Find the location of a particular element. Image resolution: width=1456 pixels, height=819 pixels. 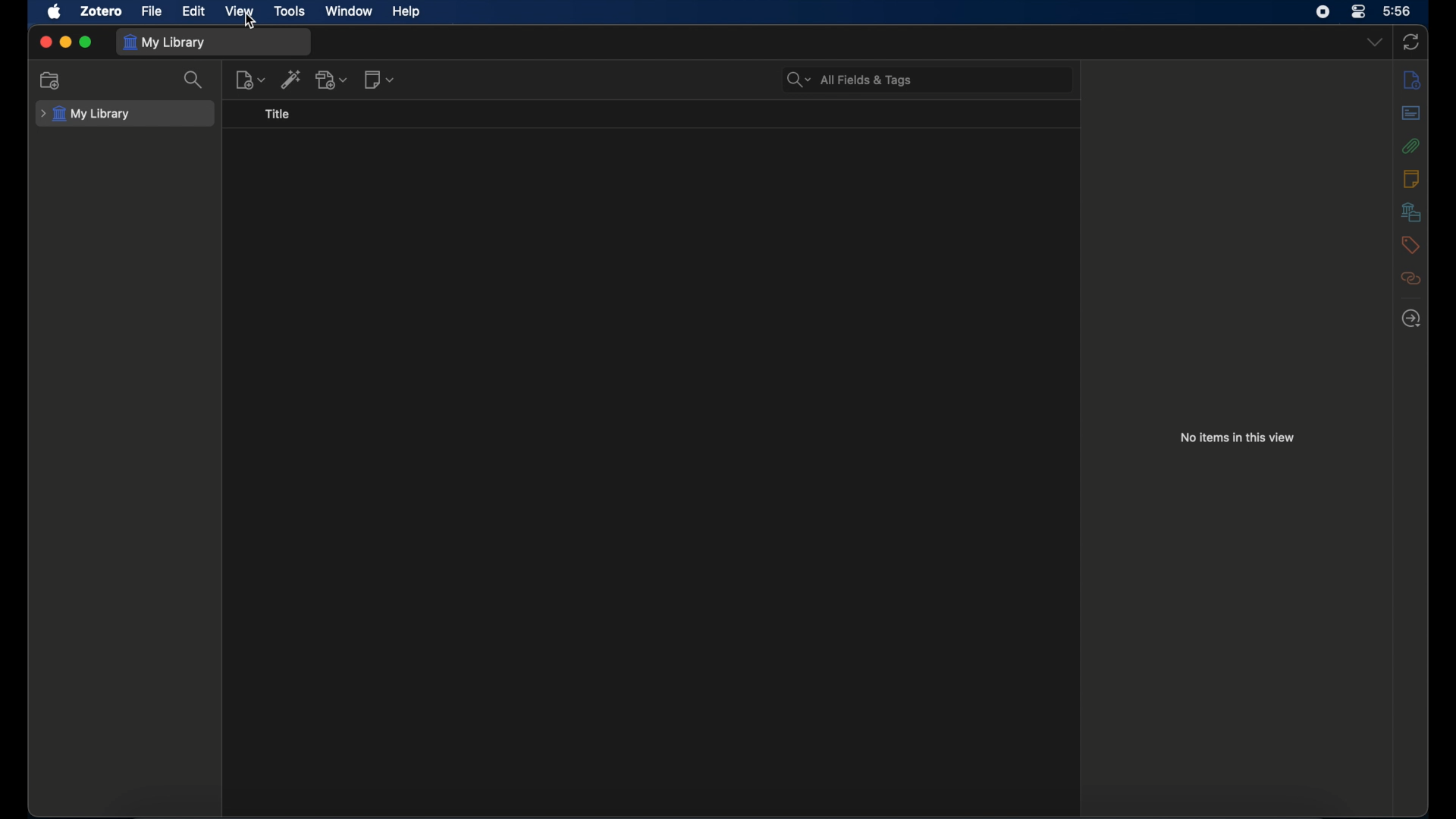

close is located at coordinates (45, 42).